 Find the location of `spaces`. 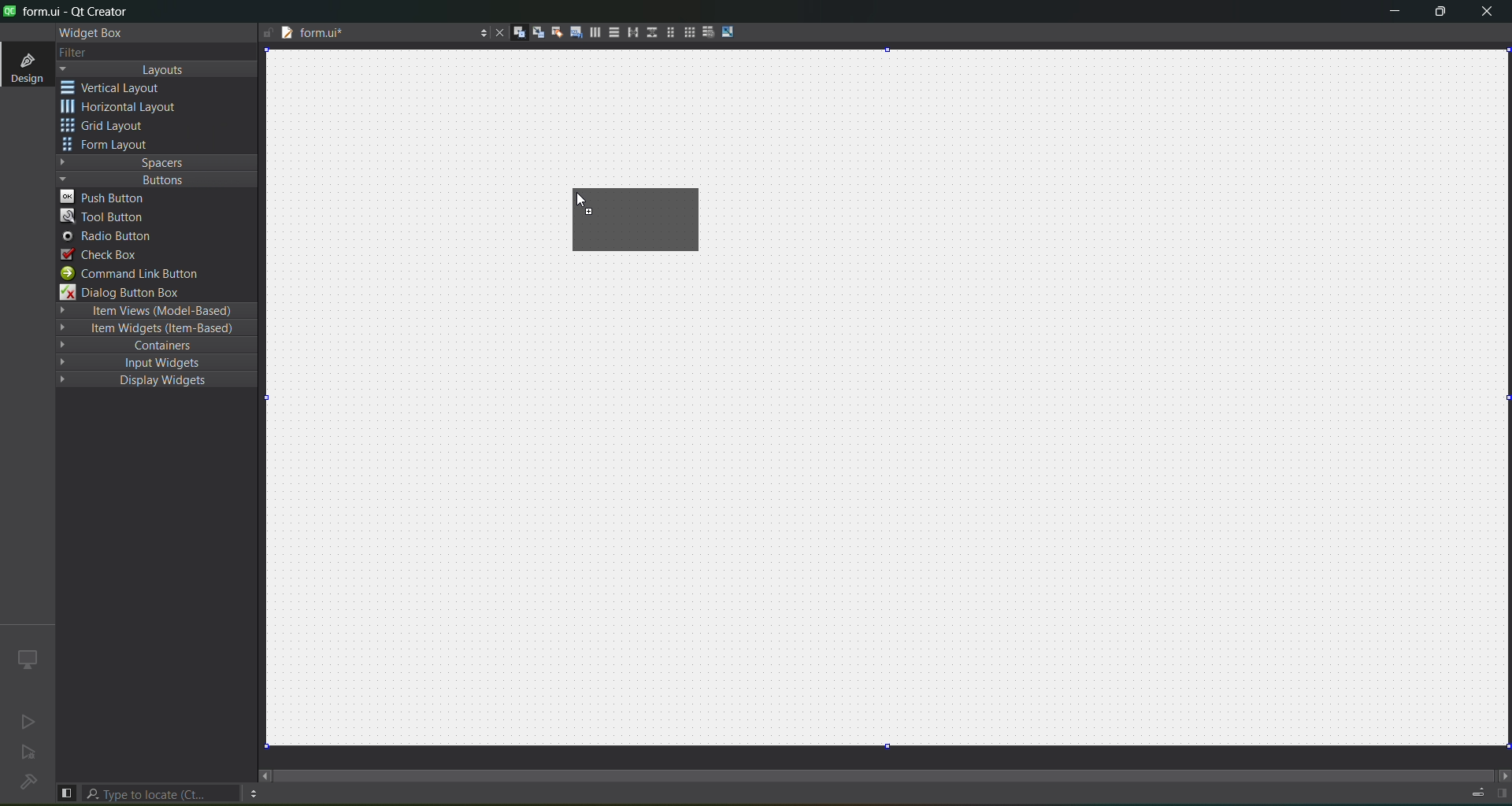

spaces is located at coordinates (157, 161).